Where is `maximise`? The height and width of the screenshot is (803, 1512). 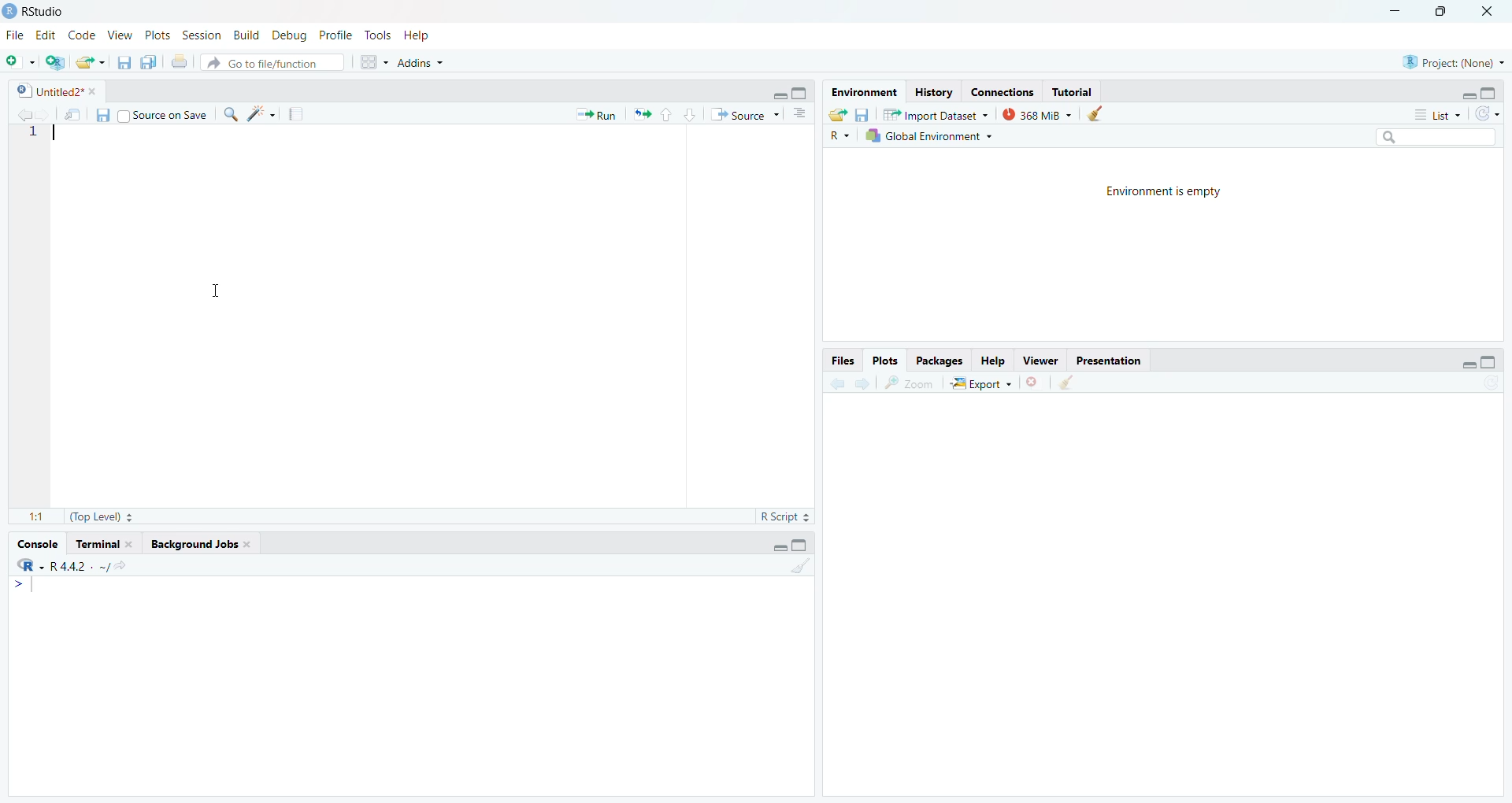 maximise is located at coordinates (802, 546).